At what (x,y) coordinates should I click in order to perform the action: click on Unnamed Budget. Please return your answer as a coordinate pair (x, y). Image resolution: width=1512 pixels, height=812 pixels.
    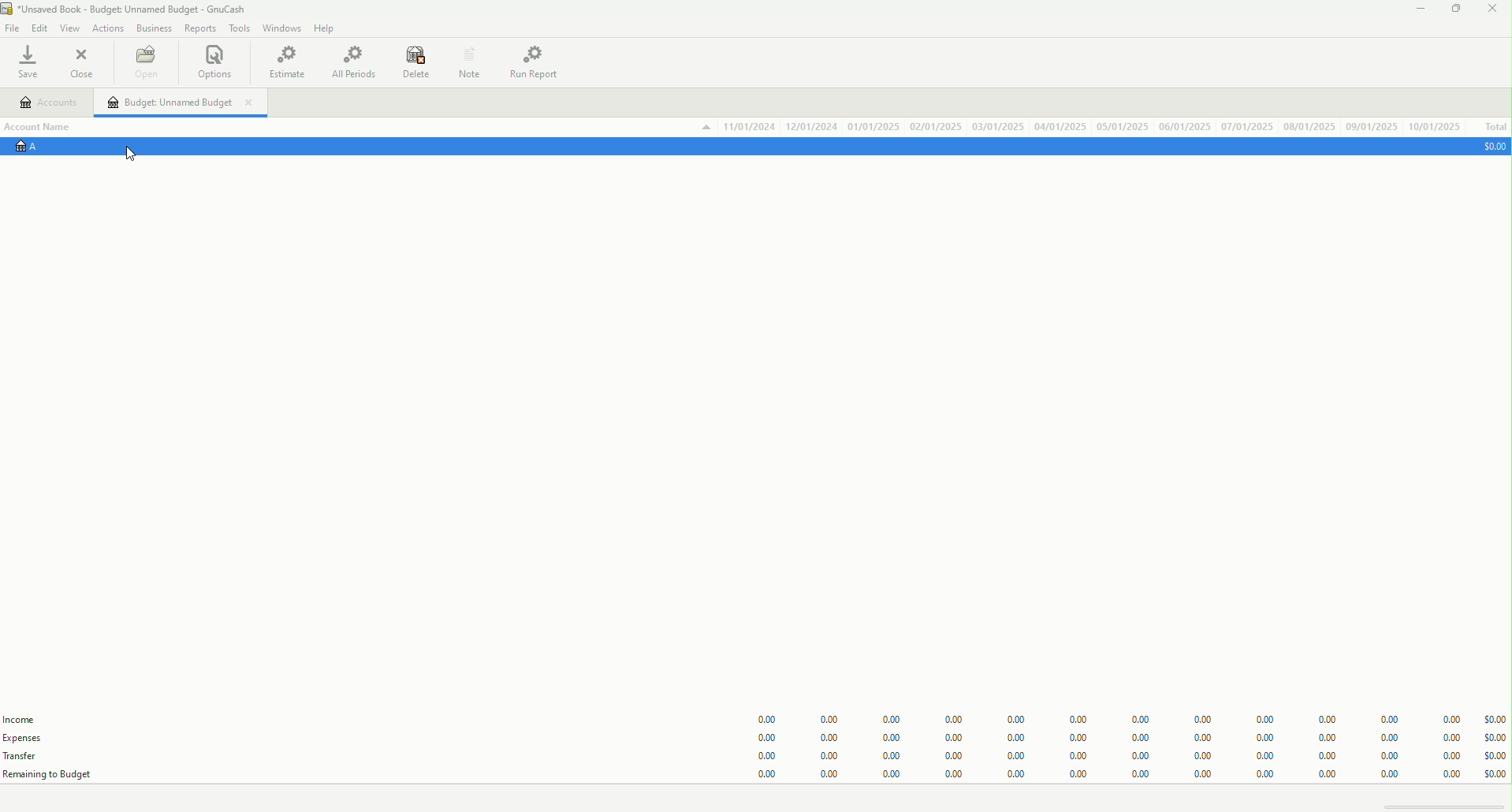
    Looking at the image, I should click on (178, 102).